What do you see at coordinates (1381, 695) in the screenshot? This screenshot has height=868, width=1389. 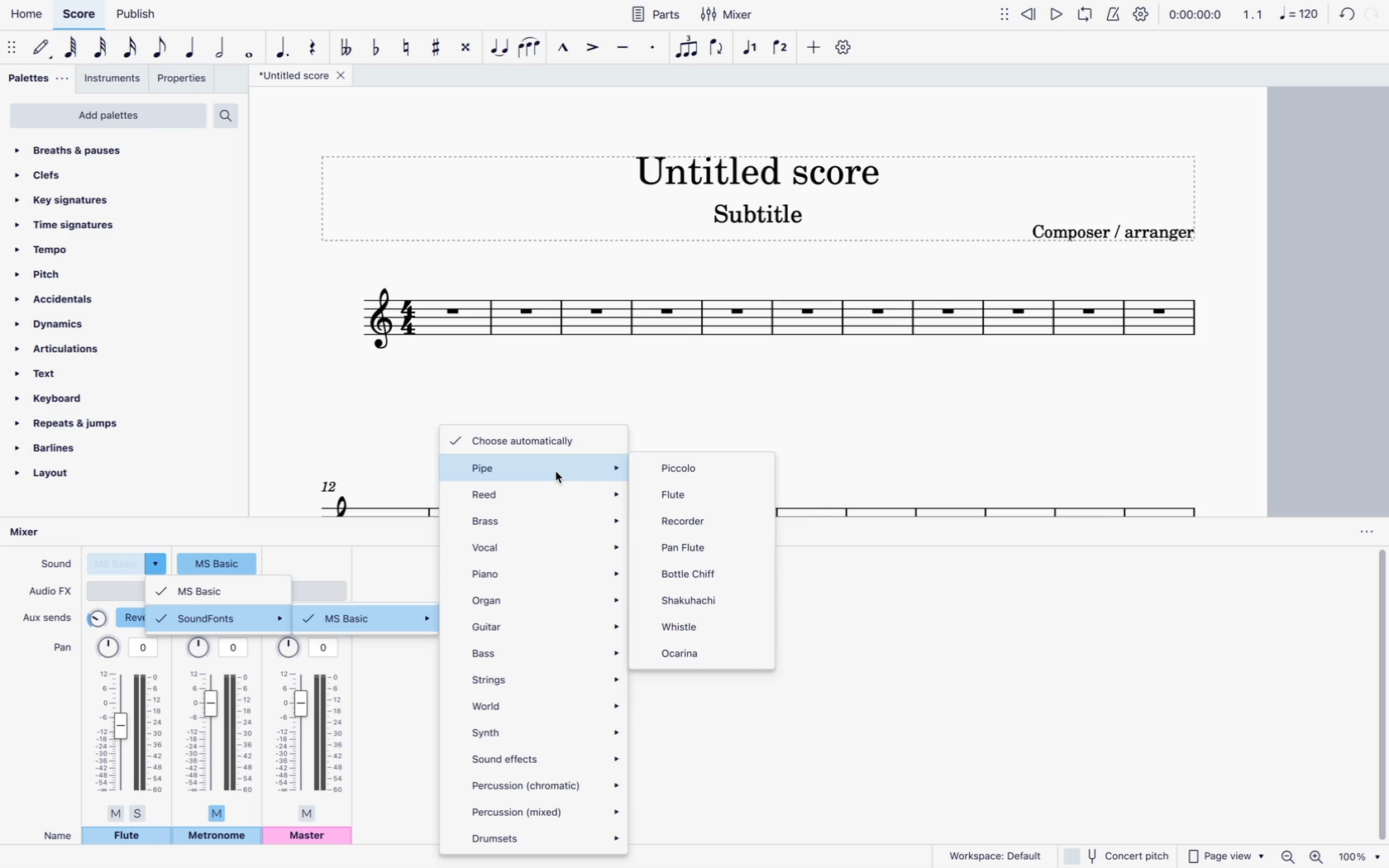 I see `vertical scrollbar` at bounding box center [1381, 695].